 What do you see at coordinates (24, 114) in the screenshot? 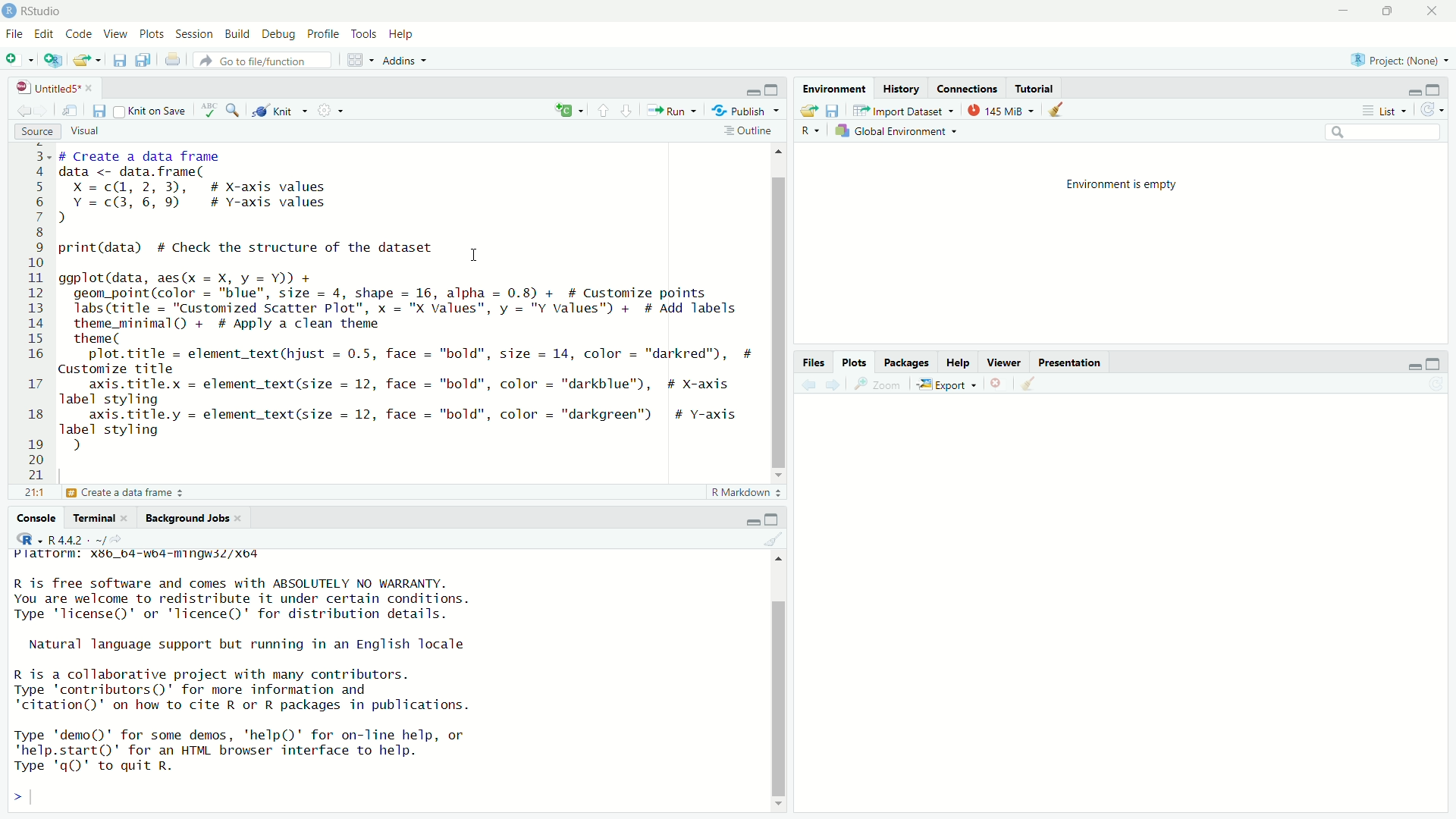
I see `Go back to the previous source location` at bounding box center [24, 114].